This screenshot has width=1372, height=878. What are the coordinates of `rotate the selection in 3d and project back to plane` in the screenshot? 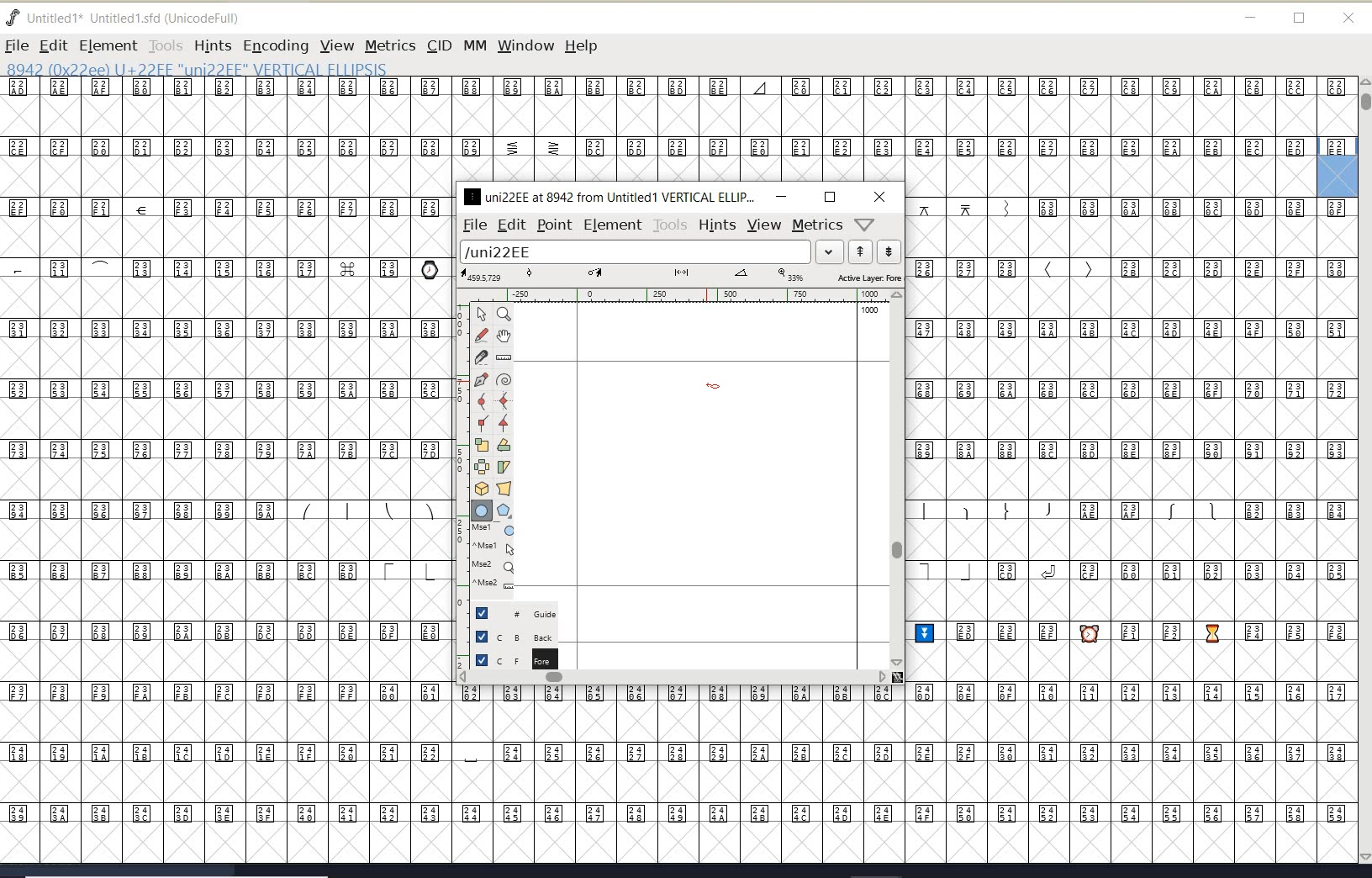 It's located at (482, 489).